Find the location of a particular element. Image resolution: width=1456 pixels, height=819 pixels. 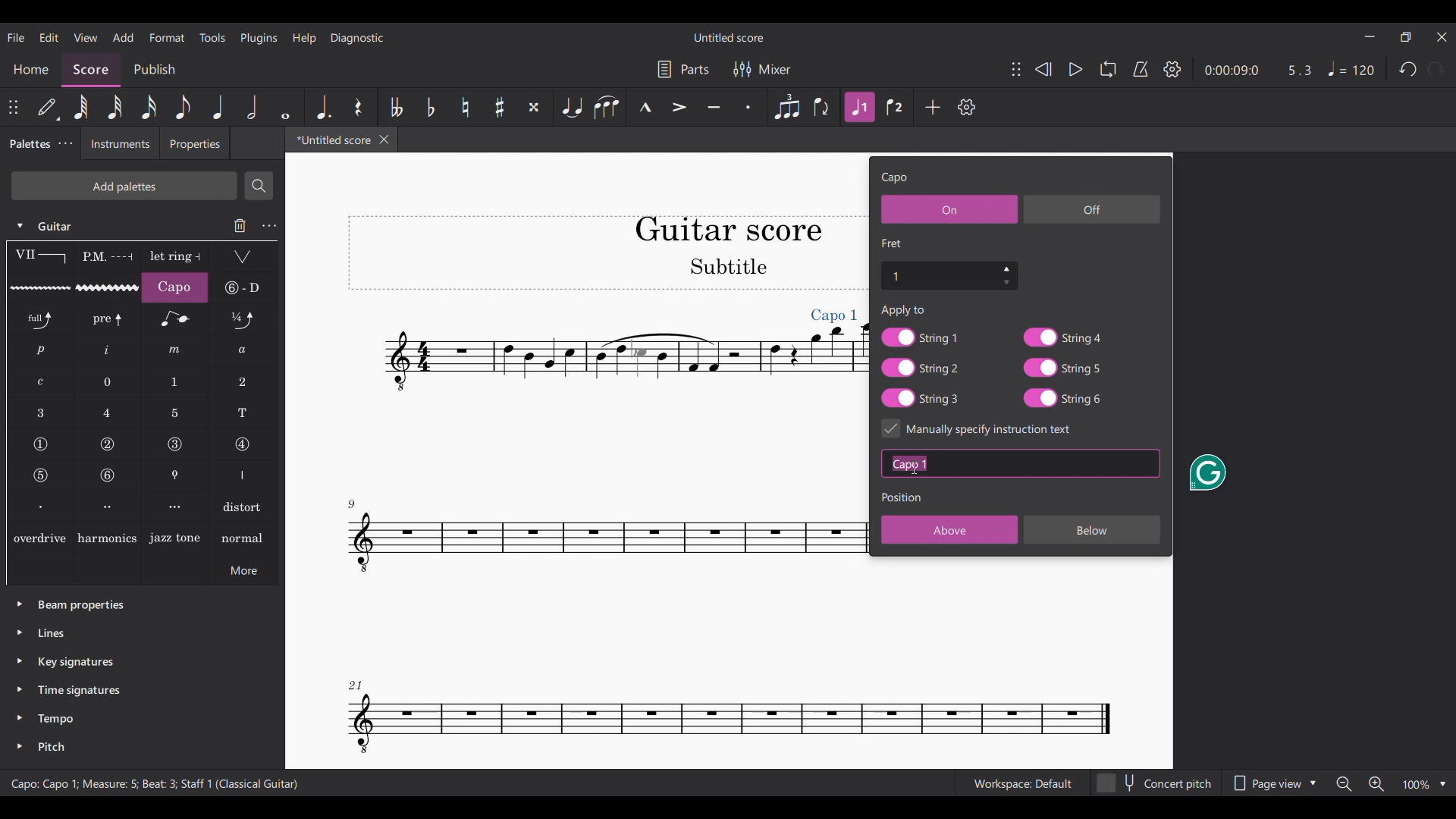

overdrive is located at coordinates (39, 537).